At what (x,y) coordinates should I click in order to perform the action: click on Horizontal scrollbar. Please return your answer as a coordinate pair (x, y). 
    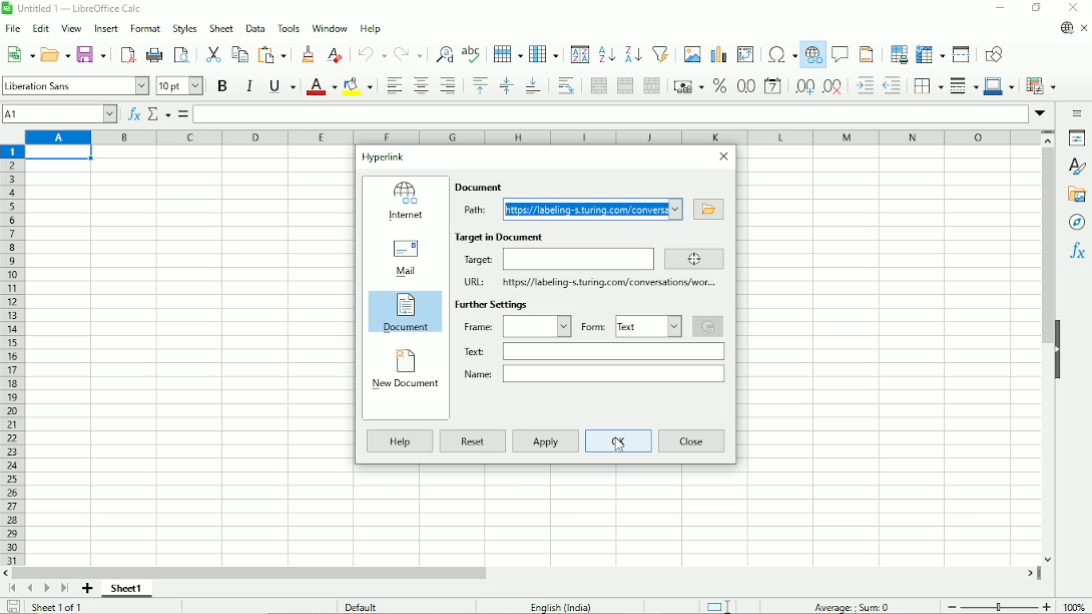
    Looking at the image, I should click on (521, 573).